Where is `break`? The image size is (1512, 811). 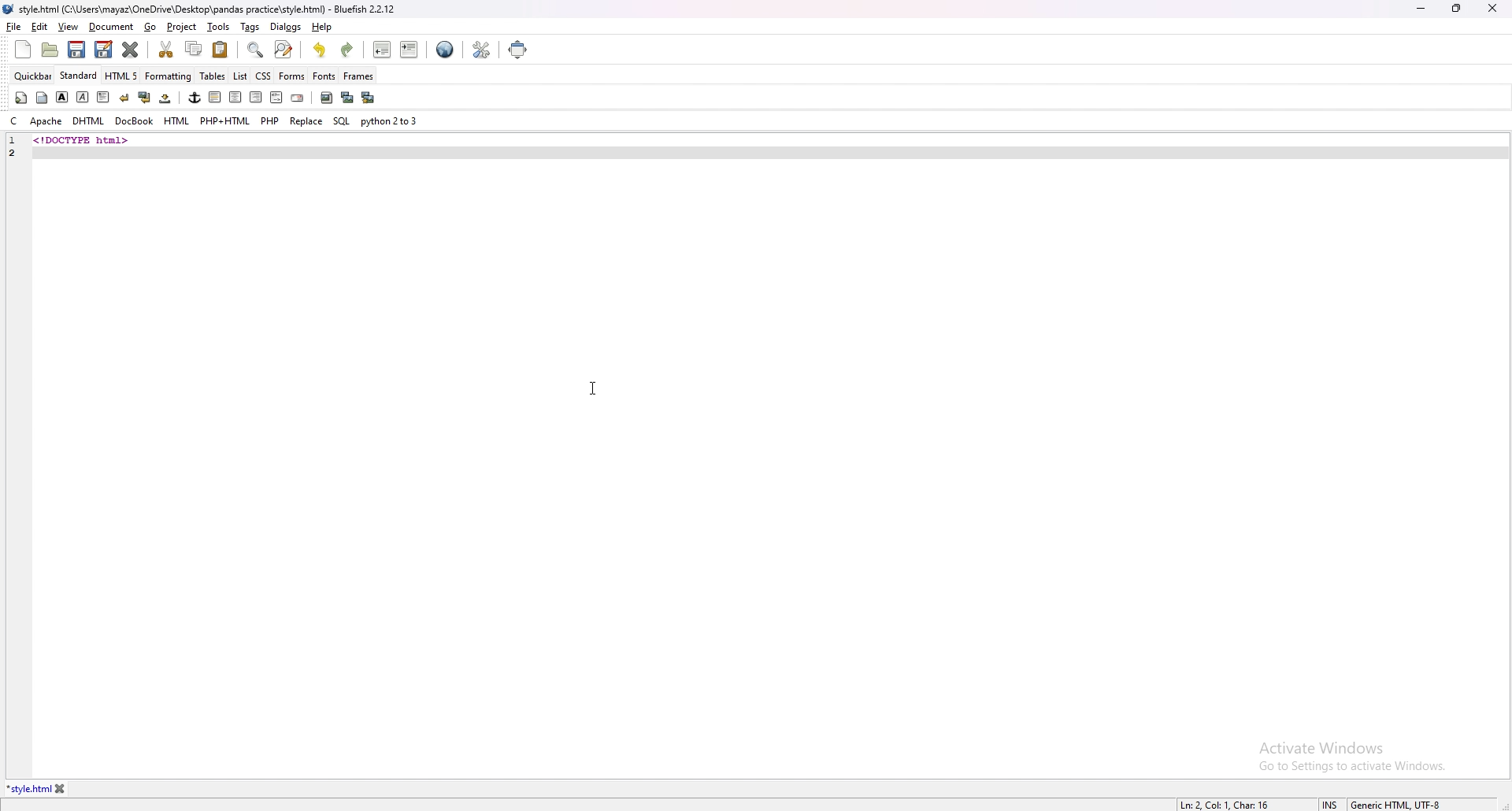 break is located at coordinates (124, 97).